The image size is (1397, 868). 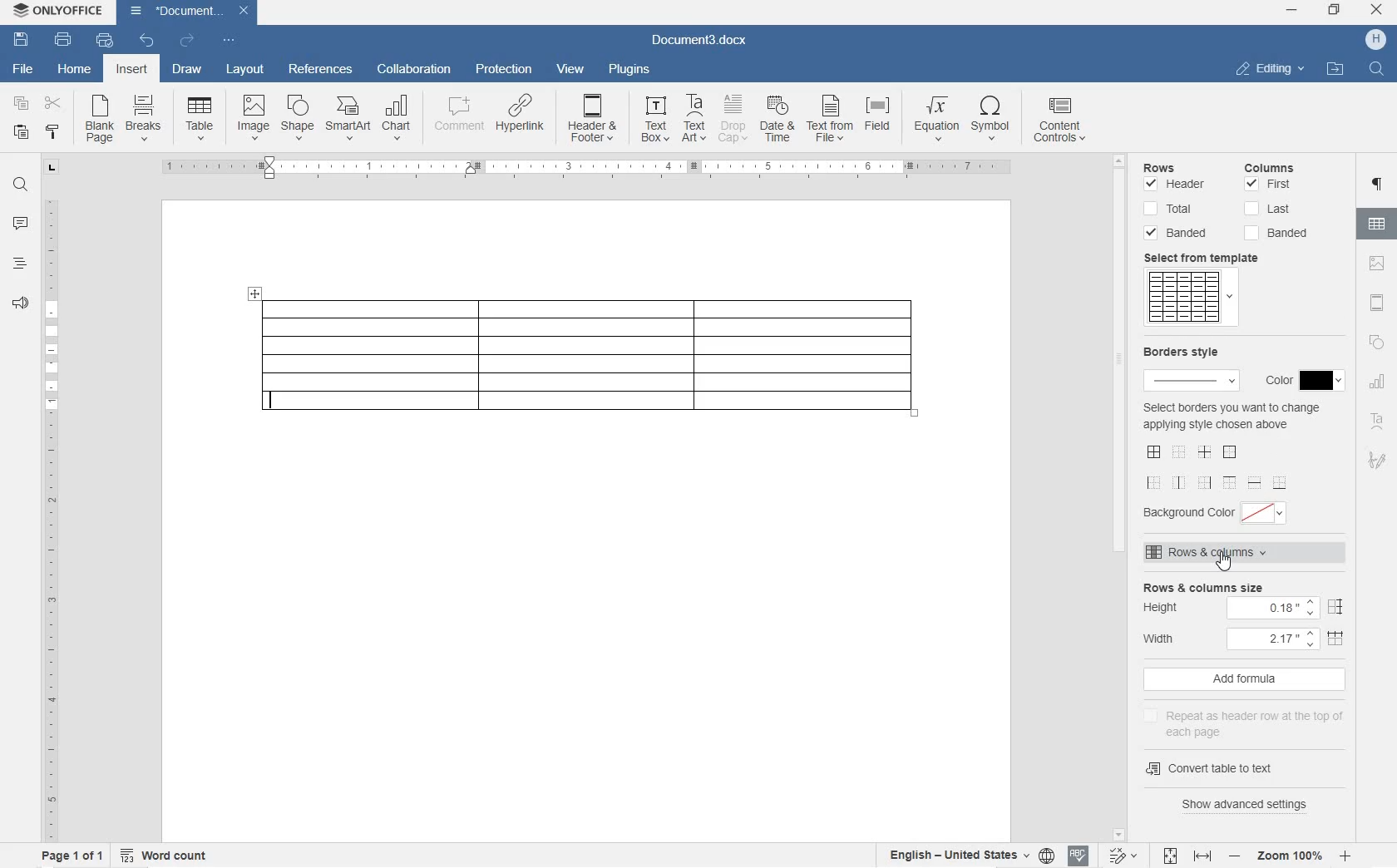 What do you see at coordinates (1303, 378) in the screenshot?
I see `Border Style Color` at bounding box center [1303, 378].